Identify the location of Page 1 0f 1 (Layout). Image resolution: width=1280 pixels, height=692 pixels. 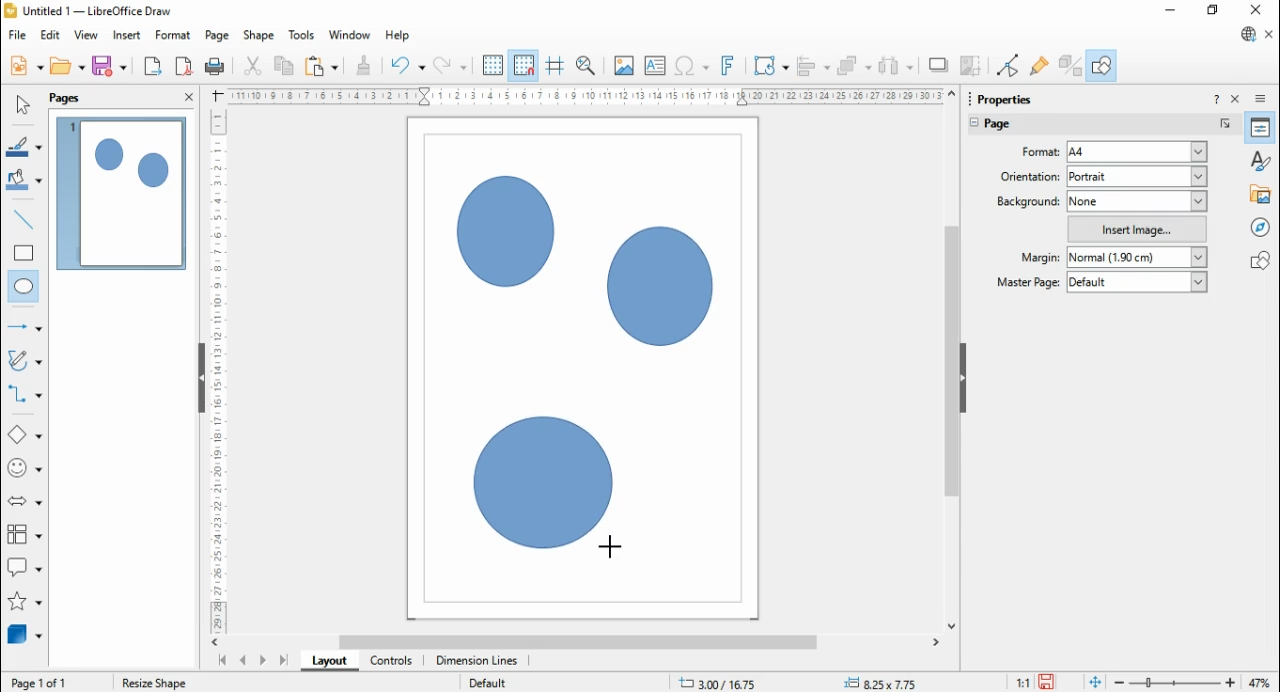
(58, 682).